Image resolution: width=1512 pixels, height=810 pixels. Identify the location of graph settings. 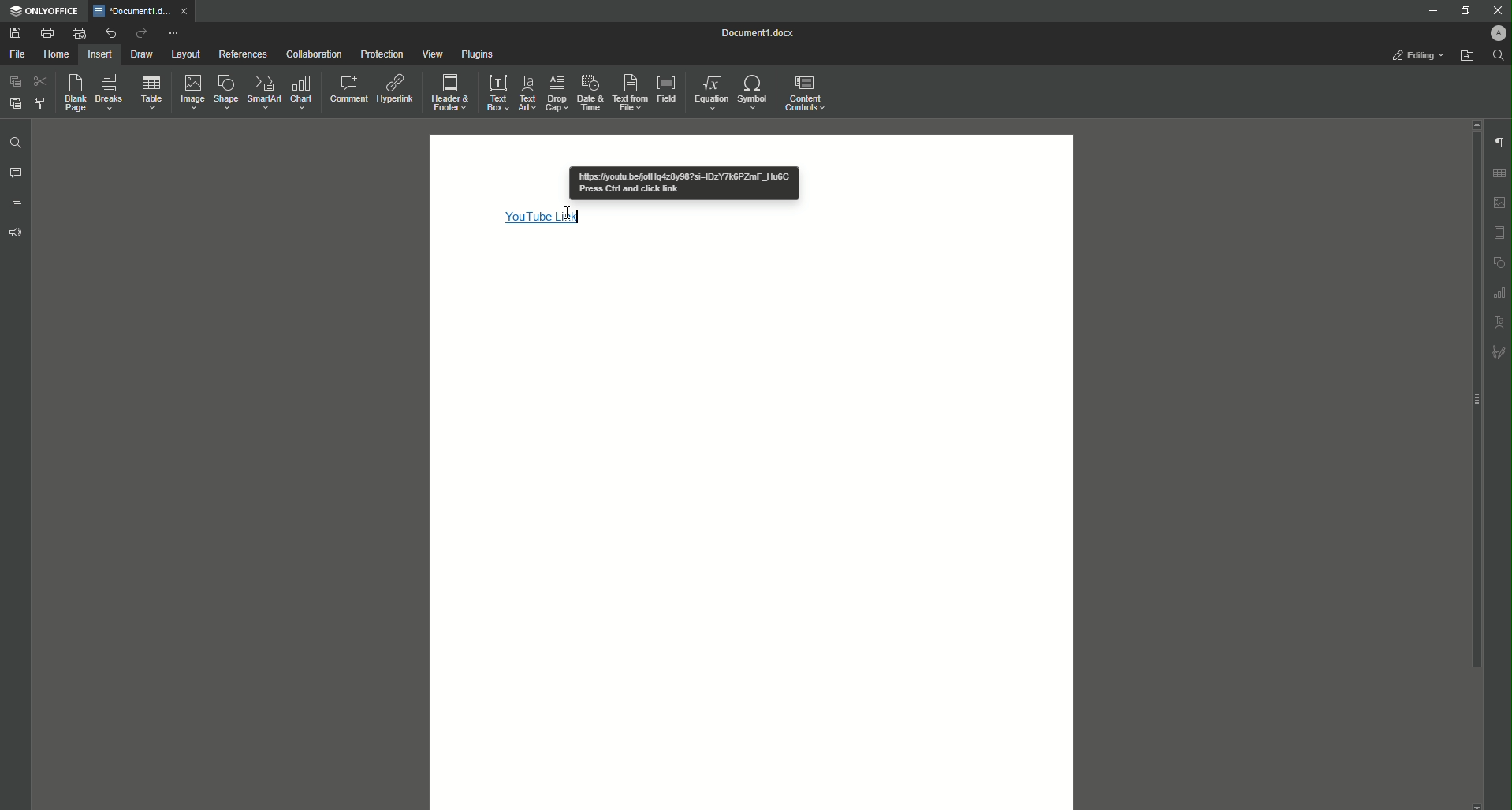
(1501, 292).